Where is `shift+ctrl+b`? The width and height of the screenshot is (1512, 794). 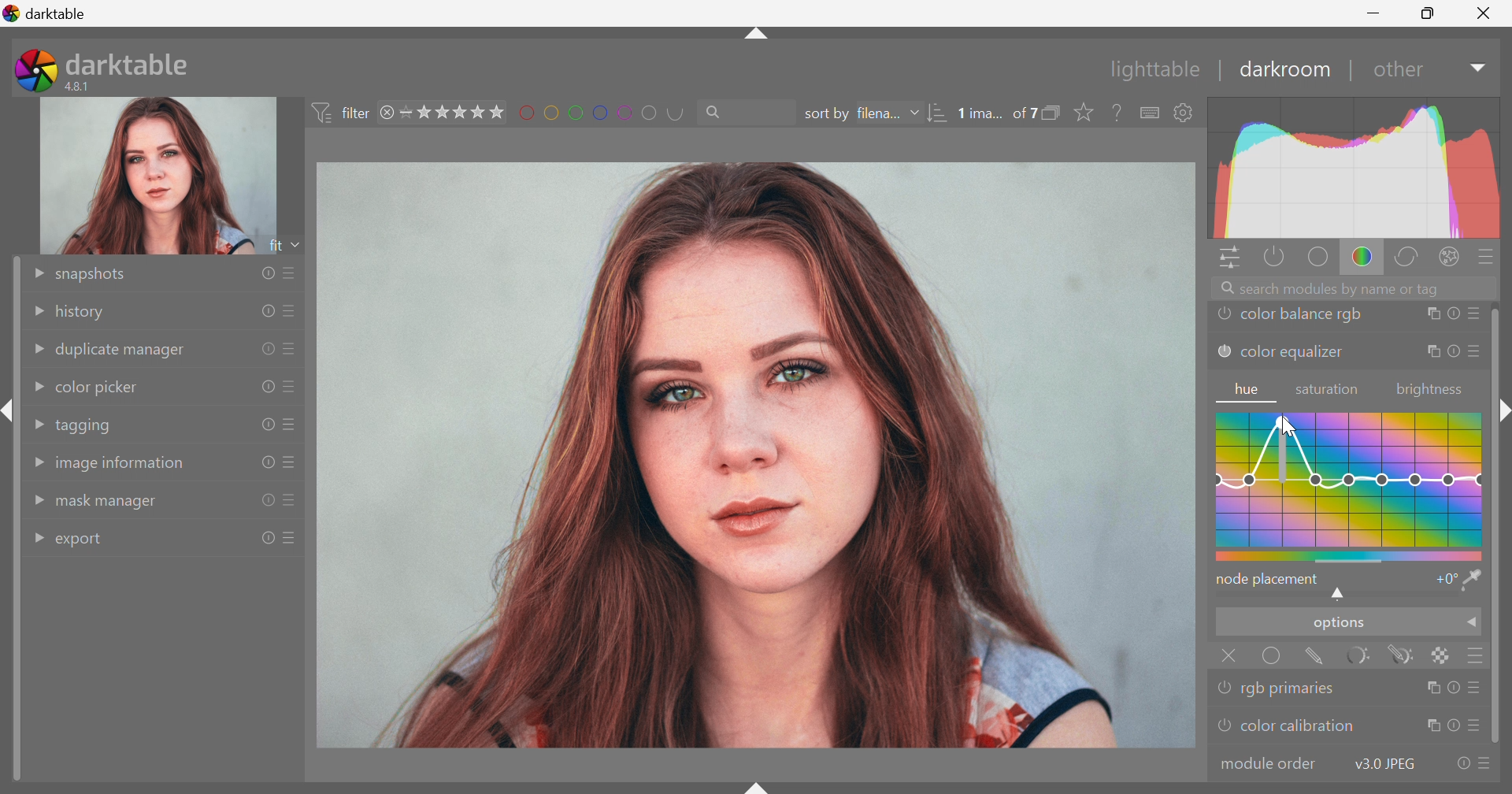 shift+ctrl+b is located at coordinates (758, 785).